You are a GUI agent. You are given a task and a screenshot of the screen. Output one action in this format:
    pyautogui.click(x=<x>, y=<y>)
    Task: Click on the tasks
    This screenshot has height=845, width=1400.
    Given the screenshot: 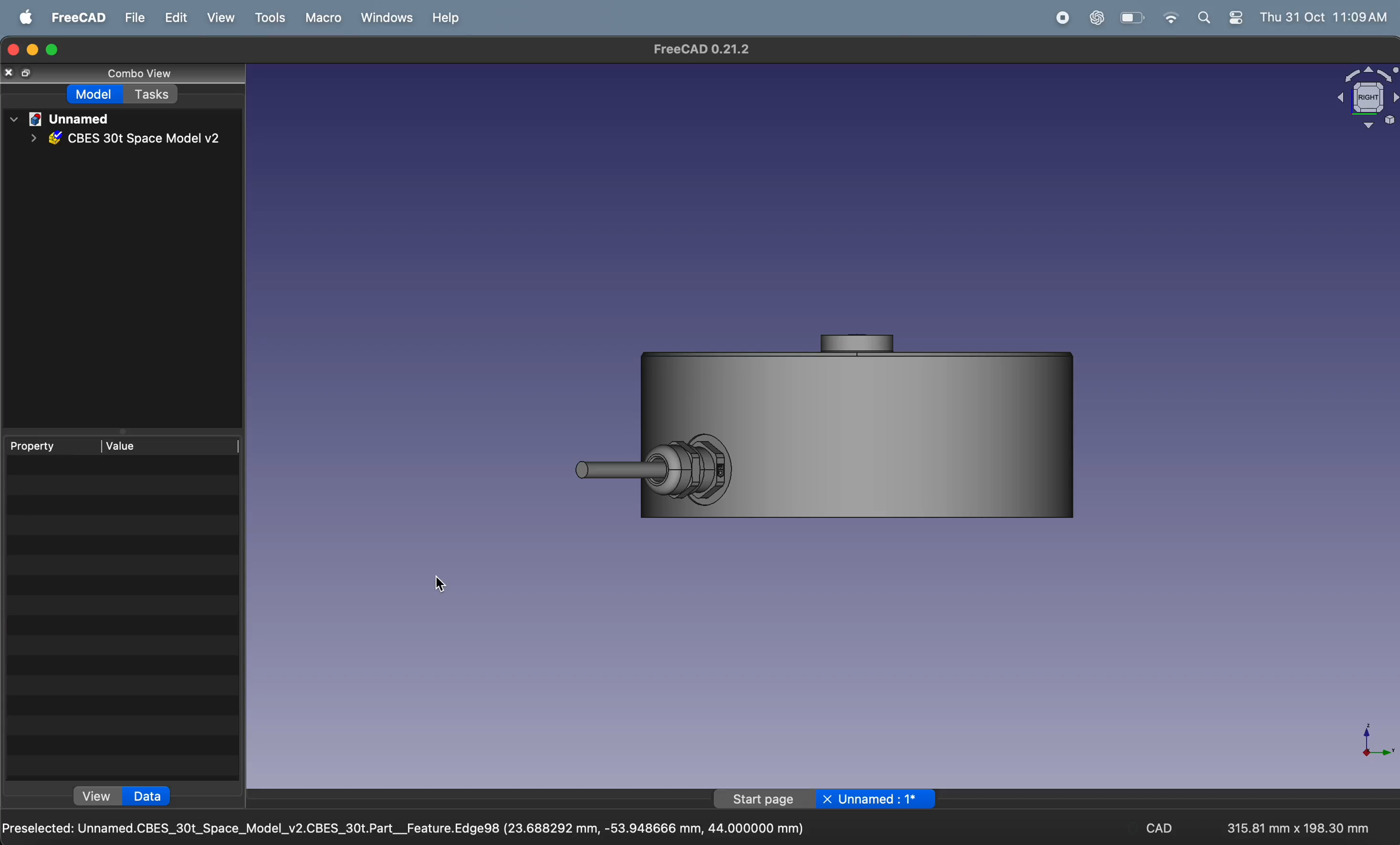 What is the action you would take?
    pyautogui.click(x=153, y=94)
    